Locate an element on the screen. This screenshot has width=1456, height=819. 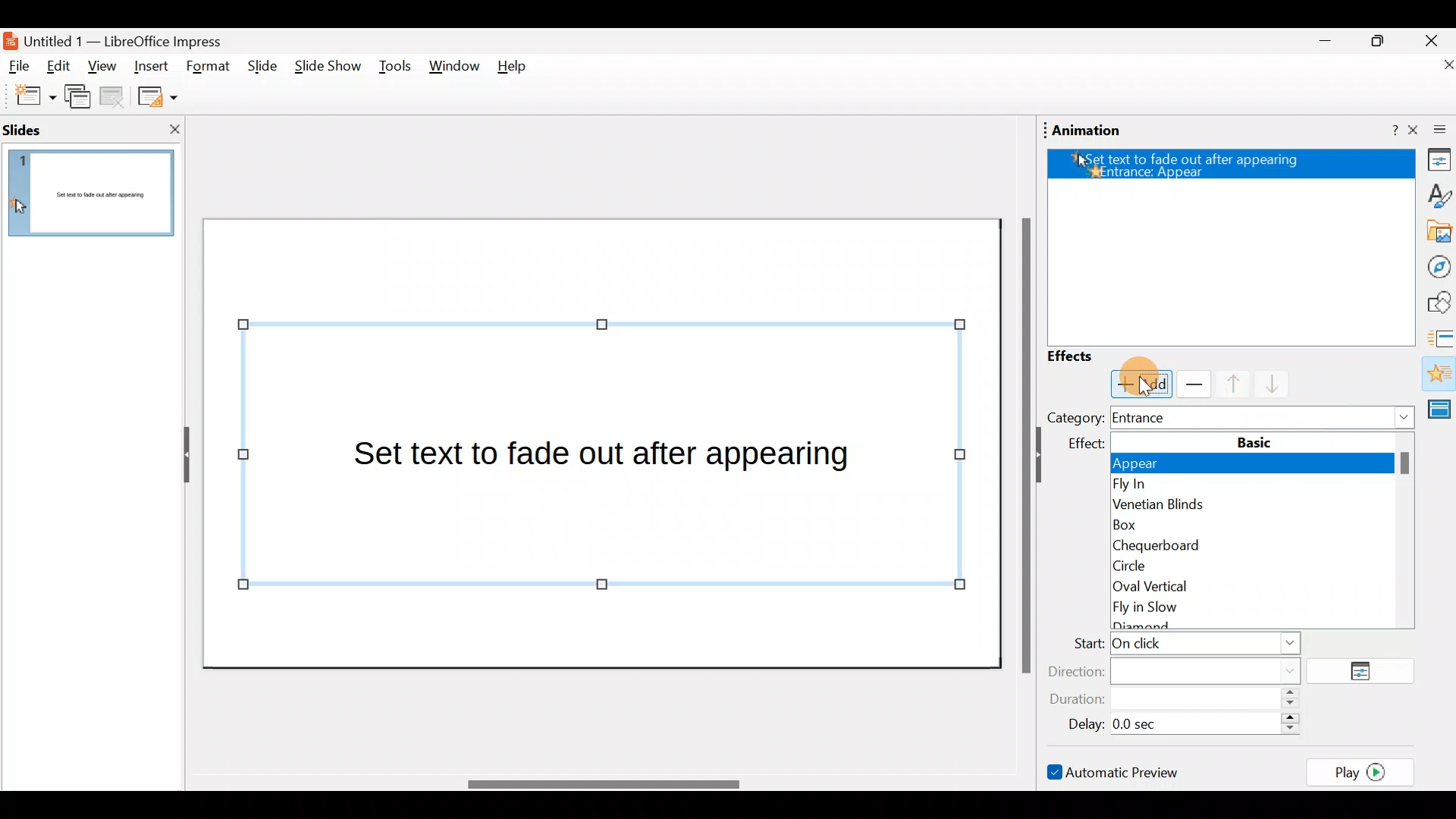
Effects is located at coordinates (1084, 356).